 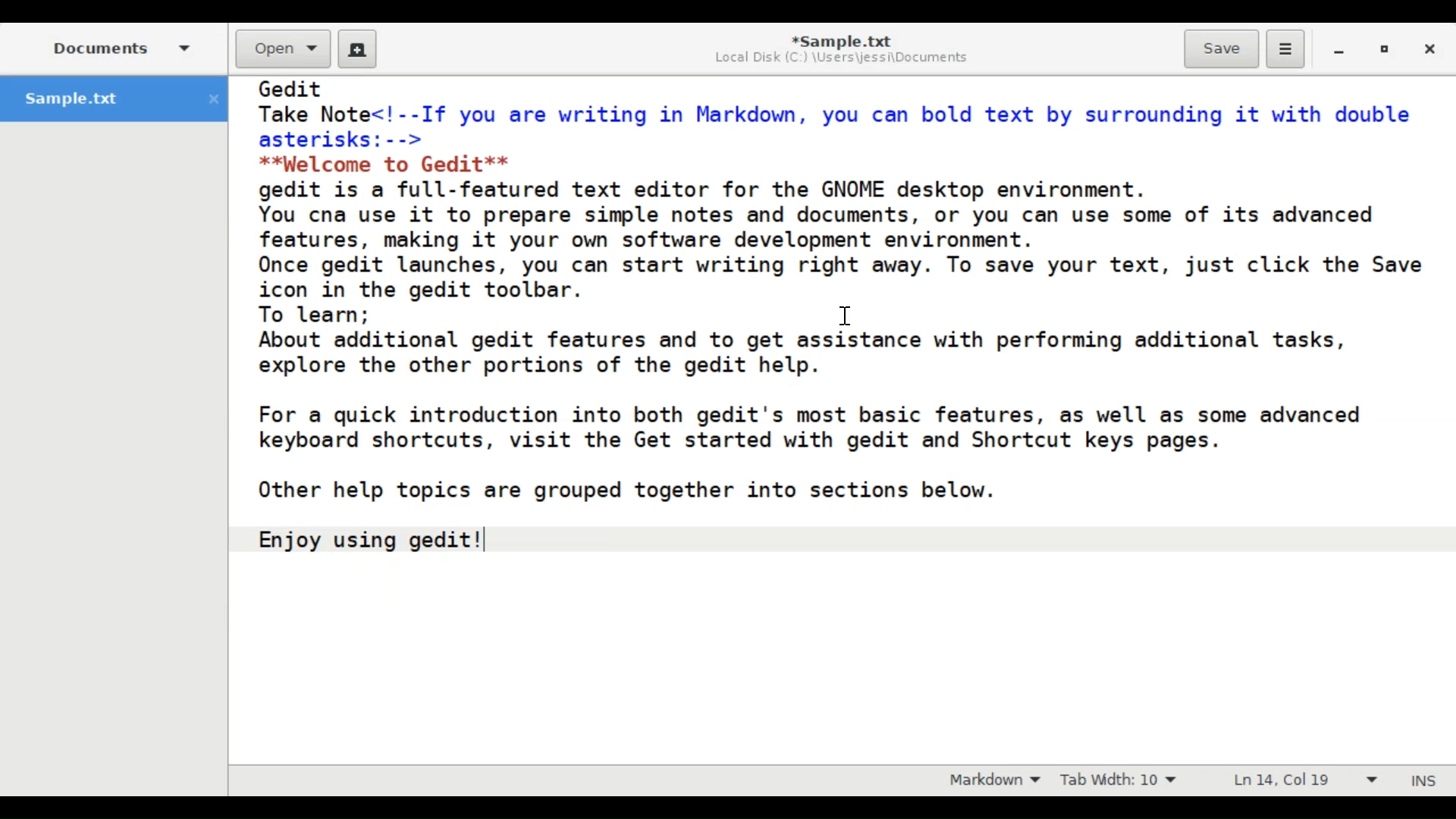 I want to click on Create a new document, so click(x=357, y=49).